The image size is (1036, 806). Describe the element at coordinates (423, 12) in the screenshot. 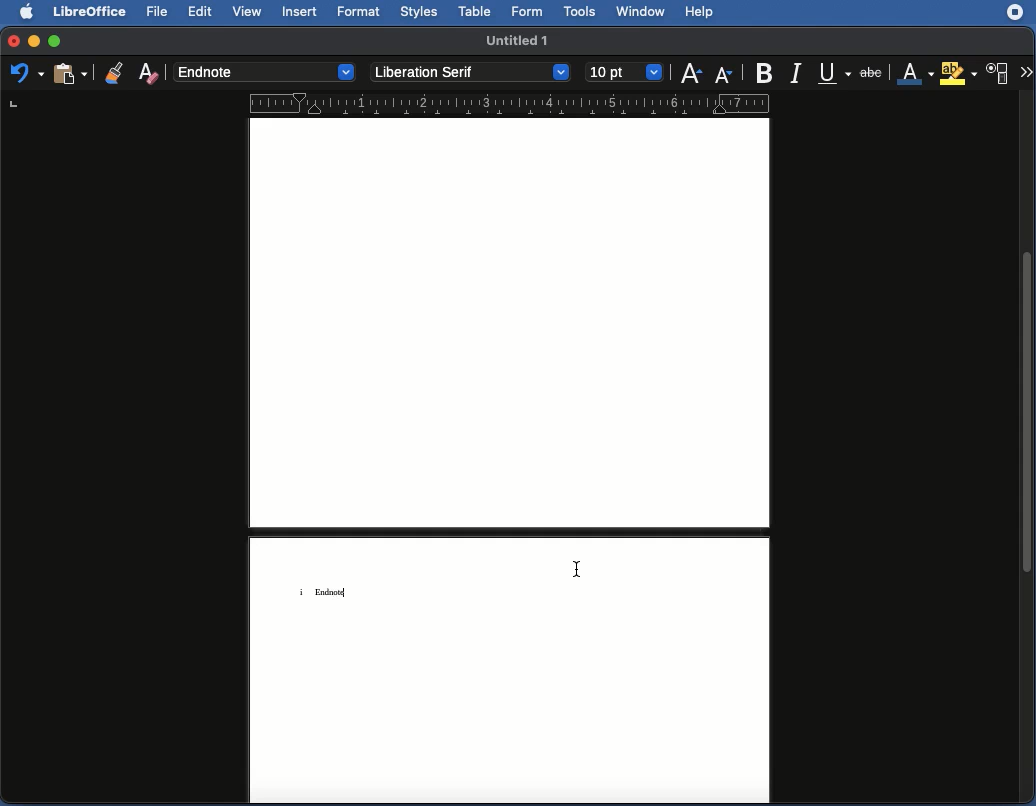

I see `Styles` at that location.